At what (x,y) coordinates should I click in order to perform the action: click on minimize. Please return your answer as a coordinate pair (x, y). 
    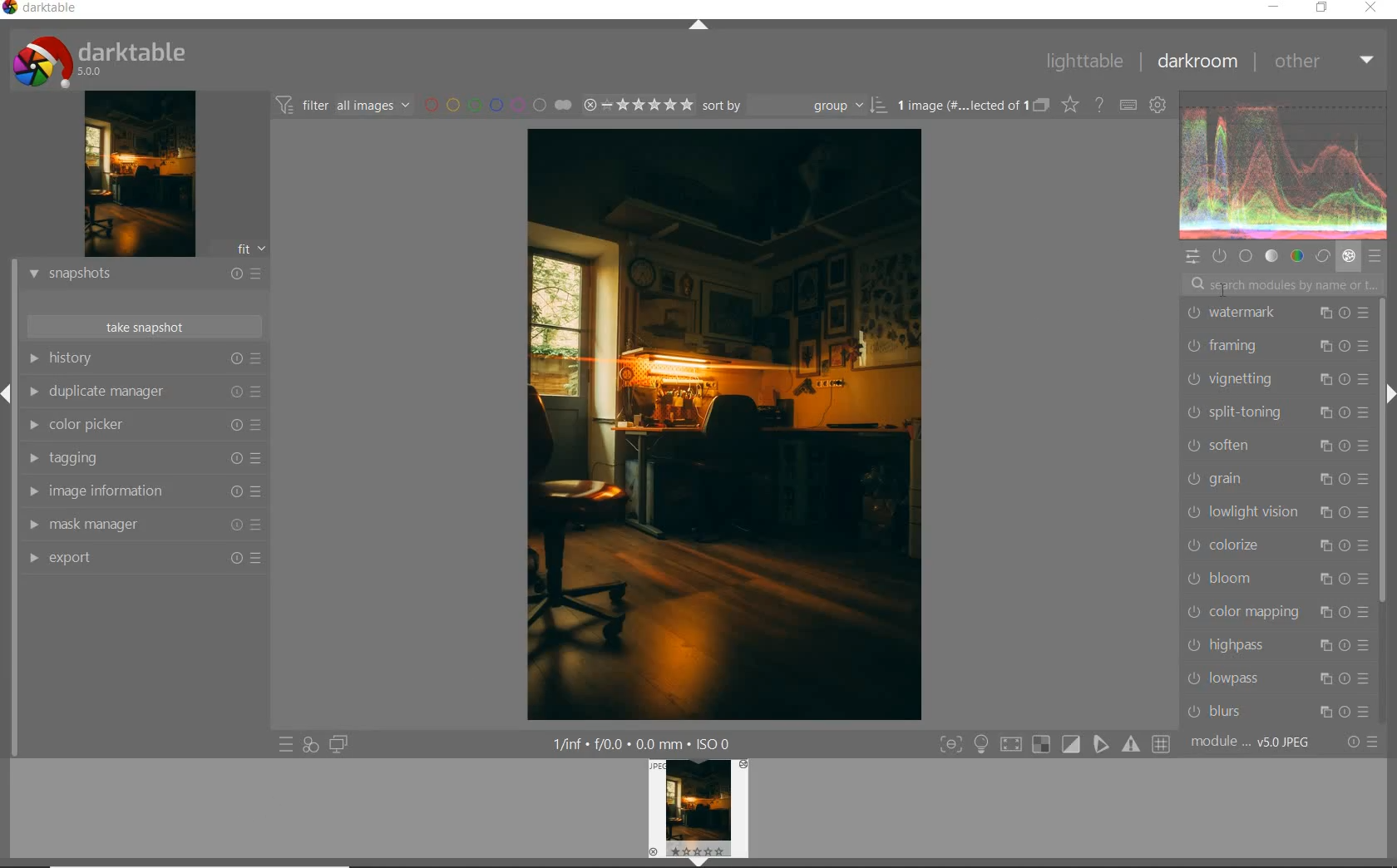
    Looking at the image, I should click on (1273, 8).